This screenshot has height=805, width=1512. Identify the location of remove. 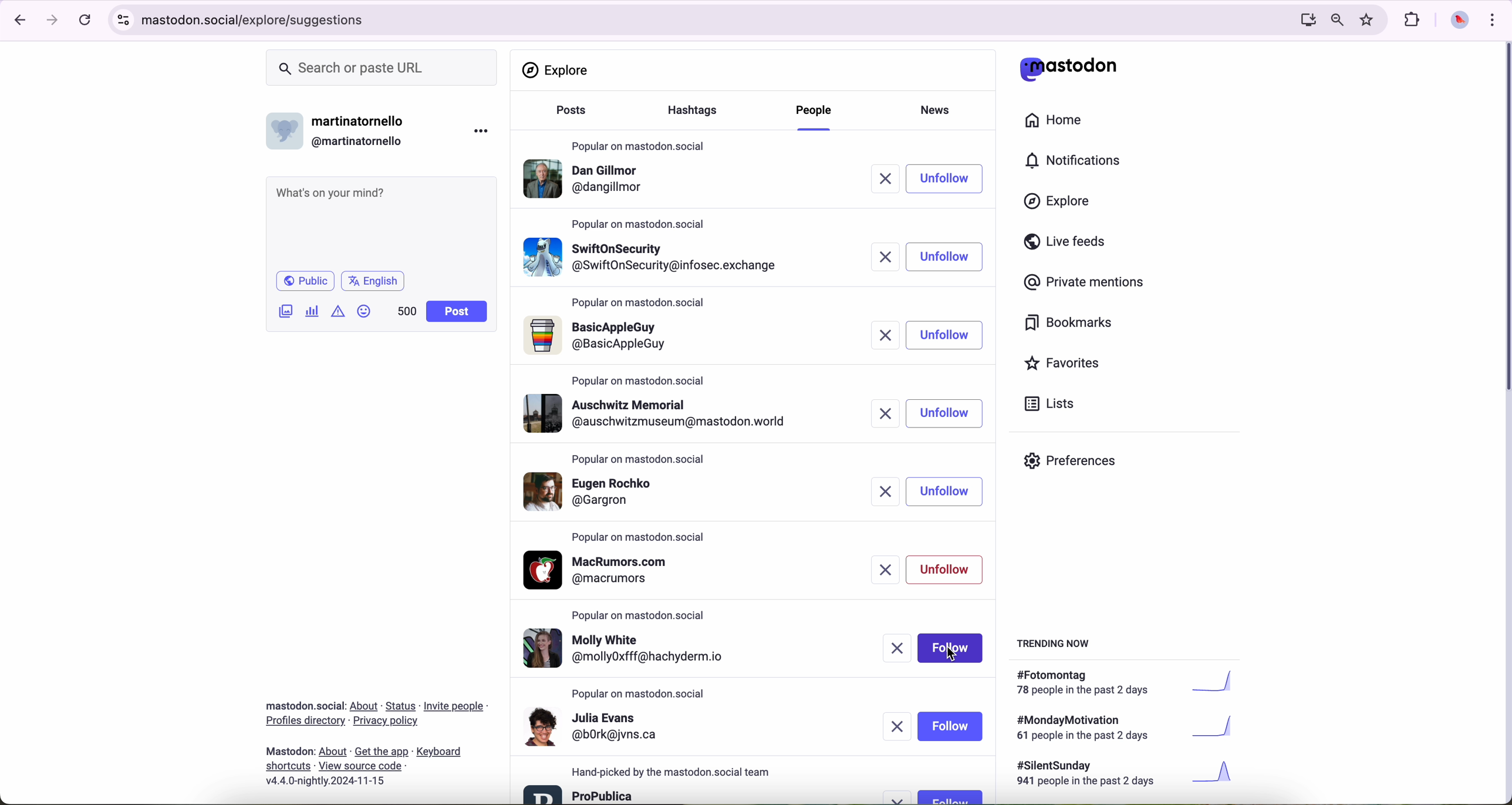
(889, 413).